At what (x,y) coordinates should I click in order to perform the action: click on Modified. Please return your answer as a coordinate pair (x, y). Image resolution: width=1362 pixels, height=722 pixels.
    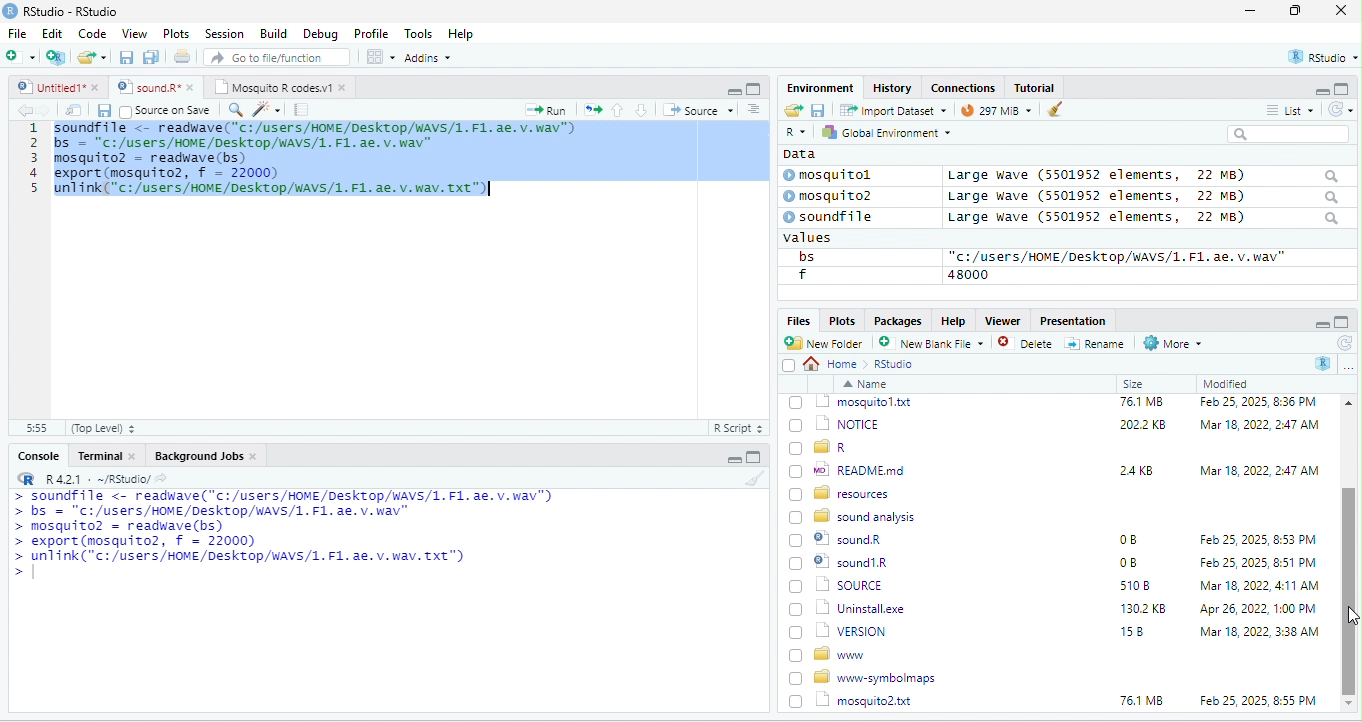
    Looking at the image, I should click on (1227, 384).